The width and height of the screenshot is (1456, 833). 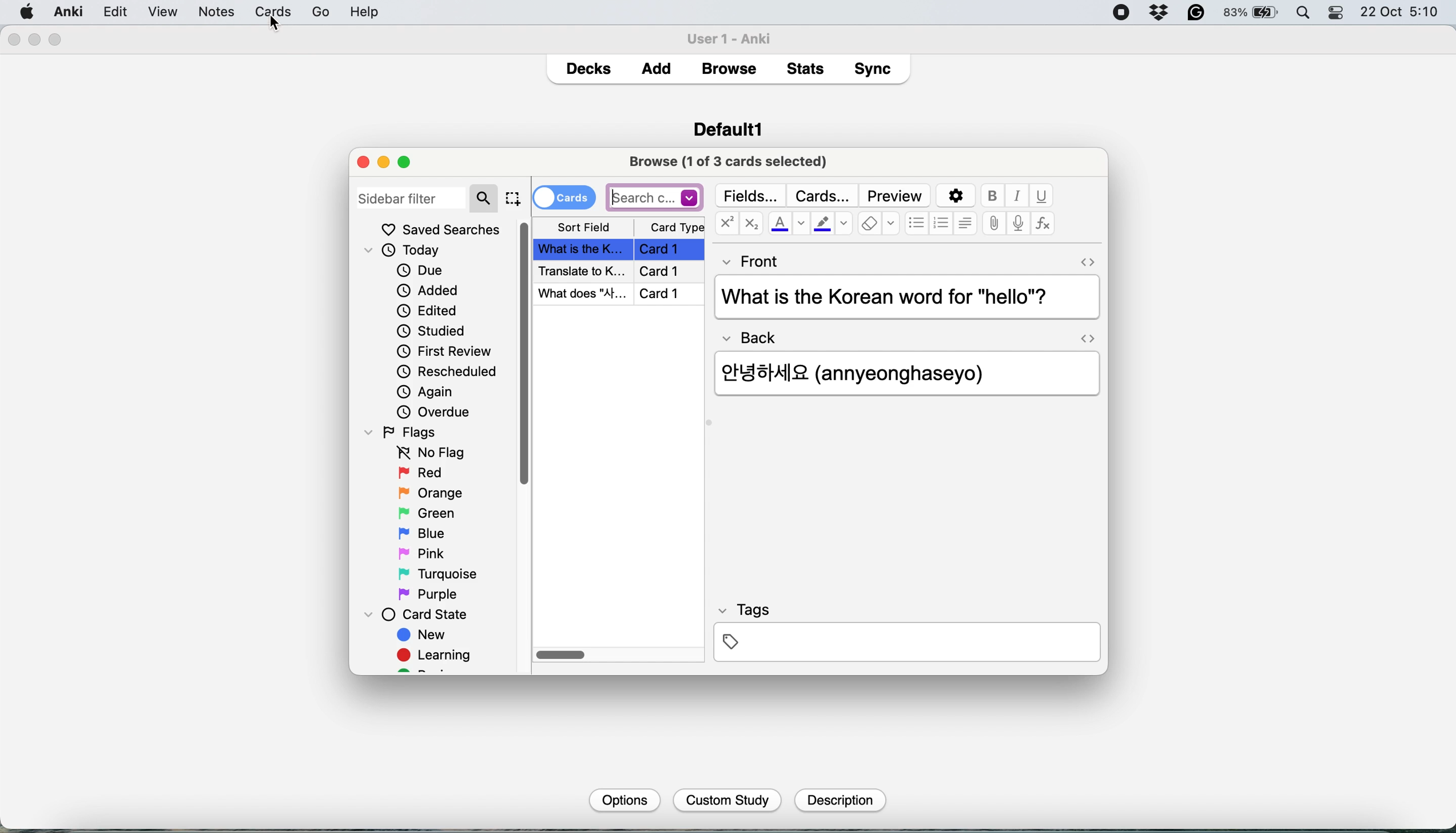 I want to click on text color, so click(x=787, y=223).